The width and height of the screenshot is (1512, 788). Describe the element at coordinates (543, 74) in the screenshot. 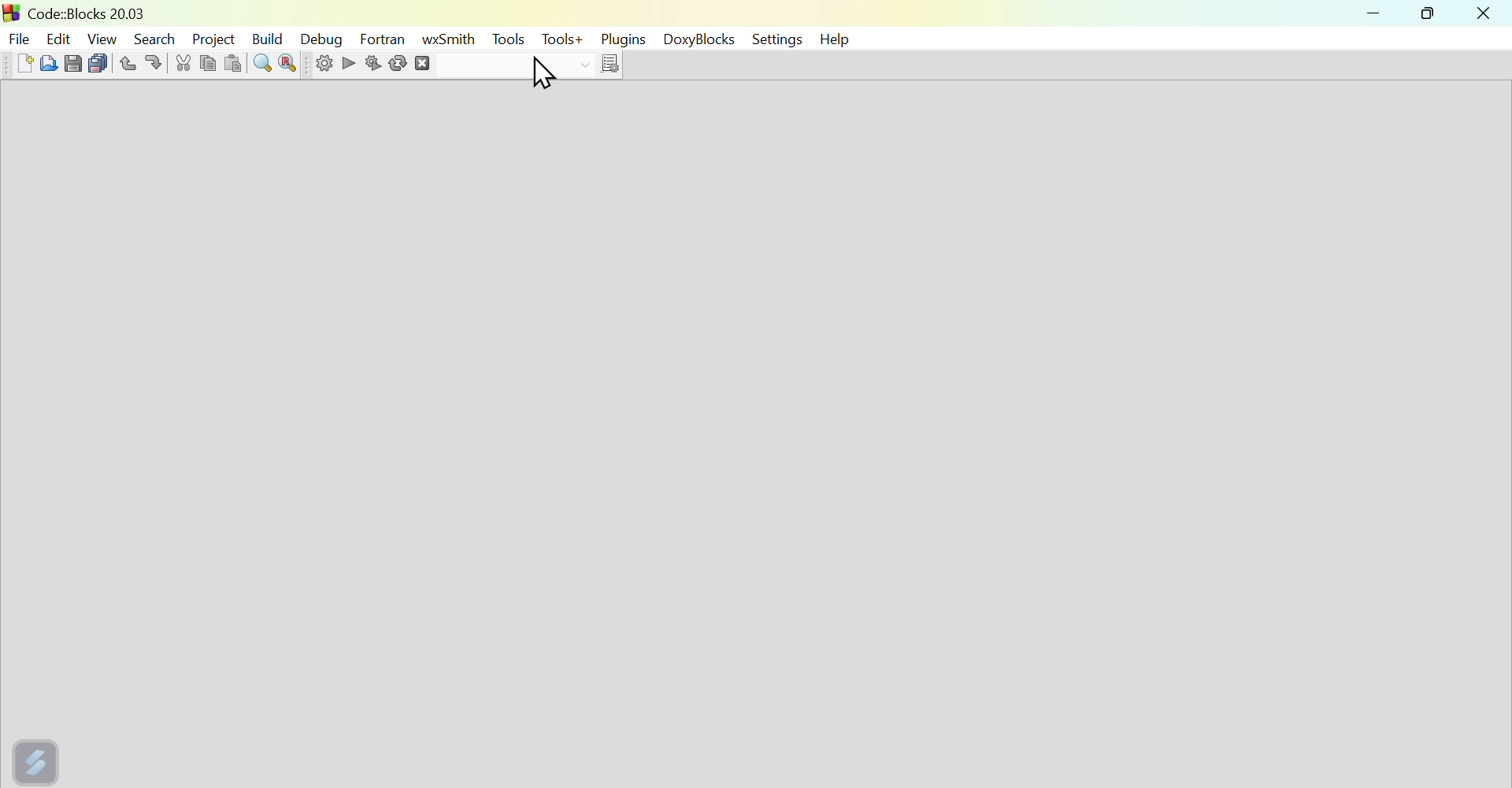

I see `Cursor` at that location.